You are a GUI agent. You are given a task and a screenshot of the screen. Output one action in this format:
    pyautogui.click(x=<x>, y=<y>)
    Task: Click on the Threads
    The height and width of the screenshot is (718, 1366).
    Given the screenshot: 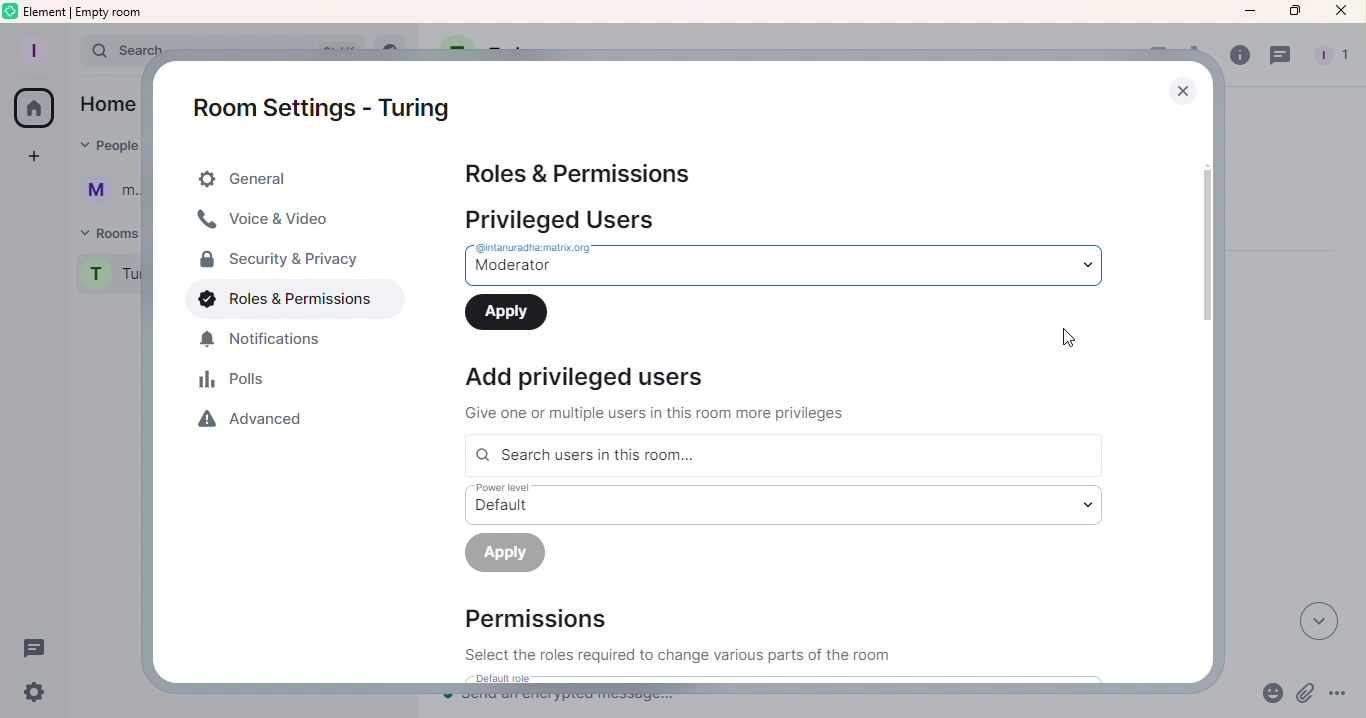 What is the action you would take?
    pyautogui.click(x=43, y=651)
    